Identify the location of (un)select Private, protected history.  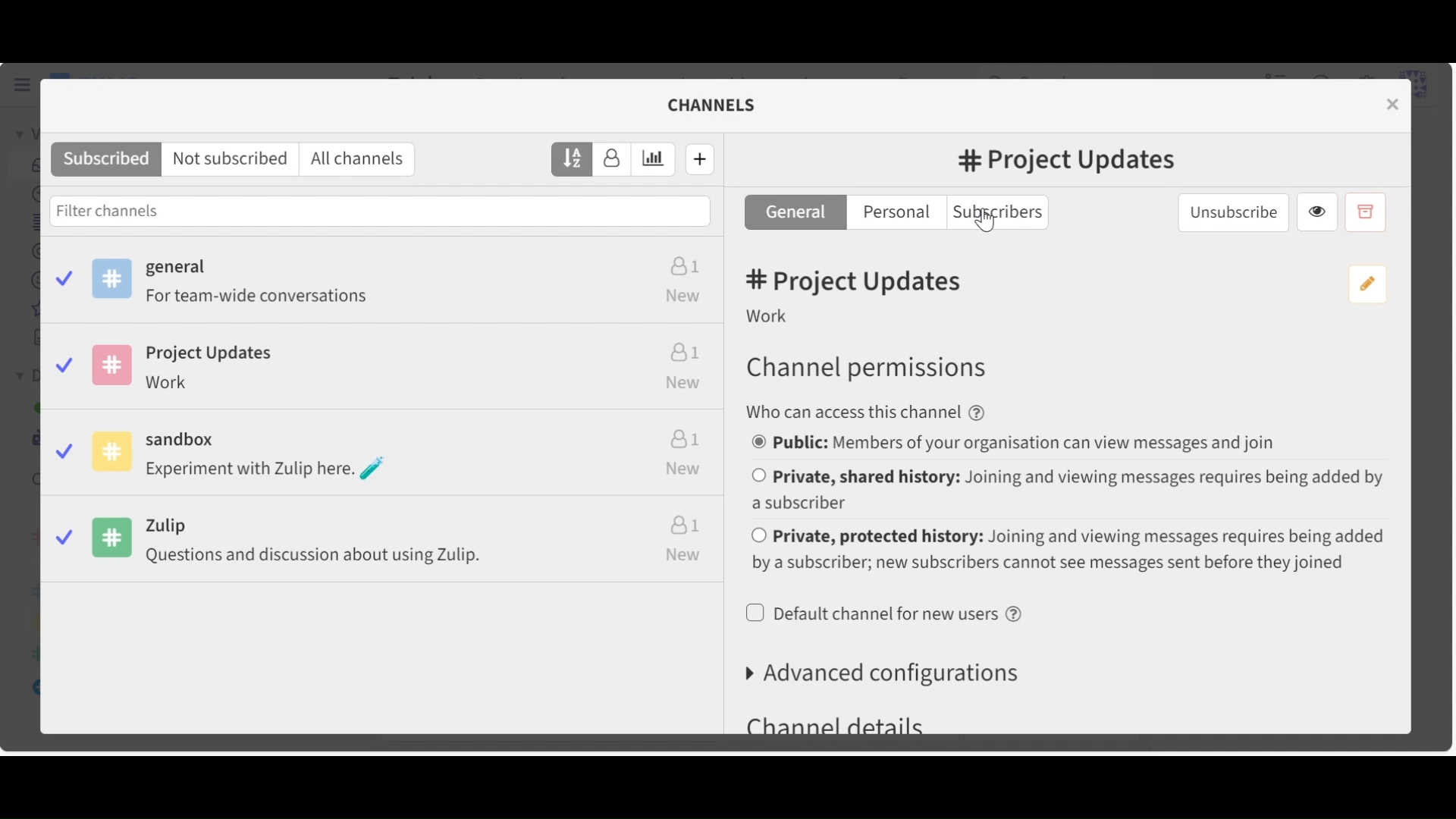
(1068, 550).